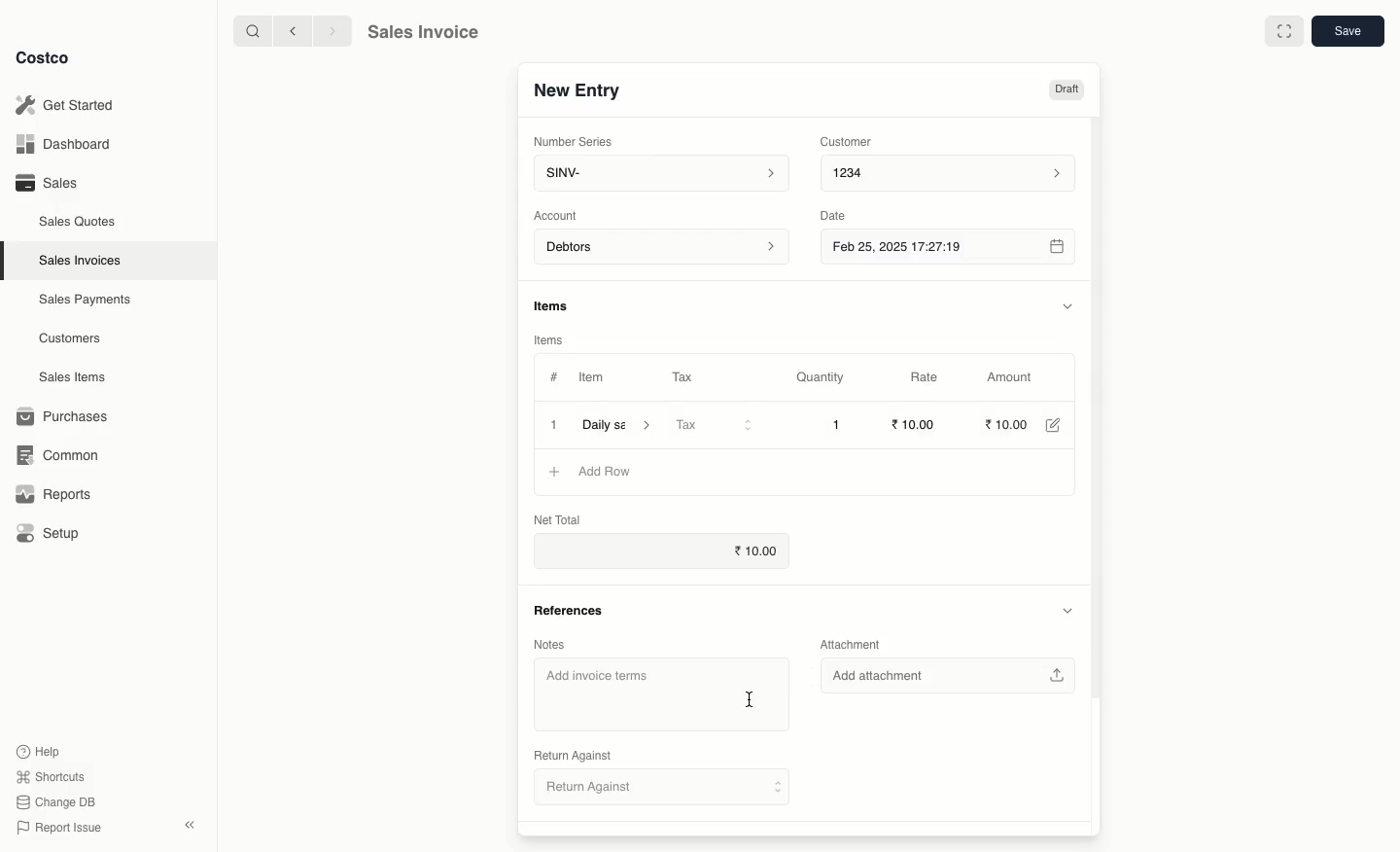 The image size is (1400, 852). I want to click on cursor, so click(753, 699).